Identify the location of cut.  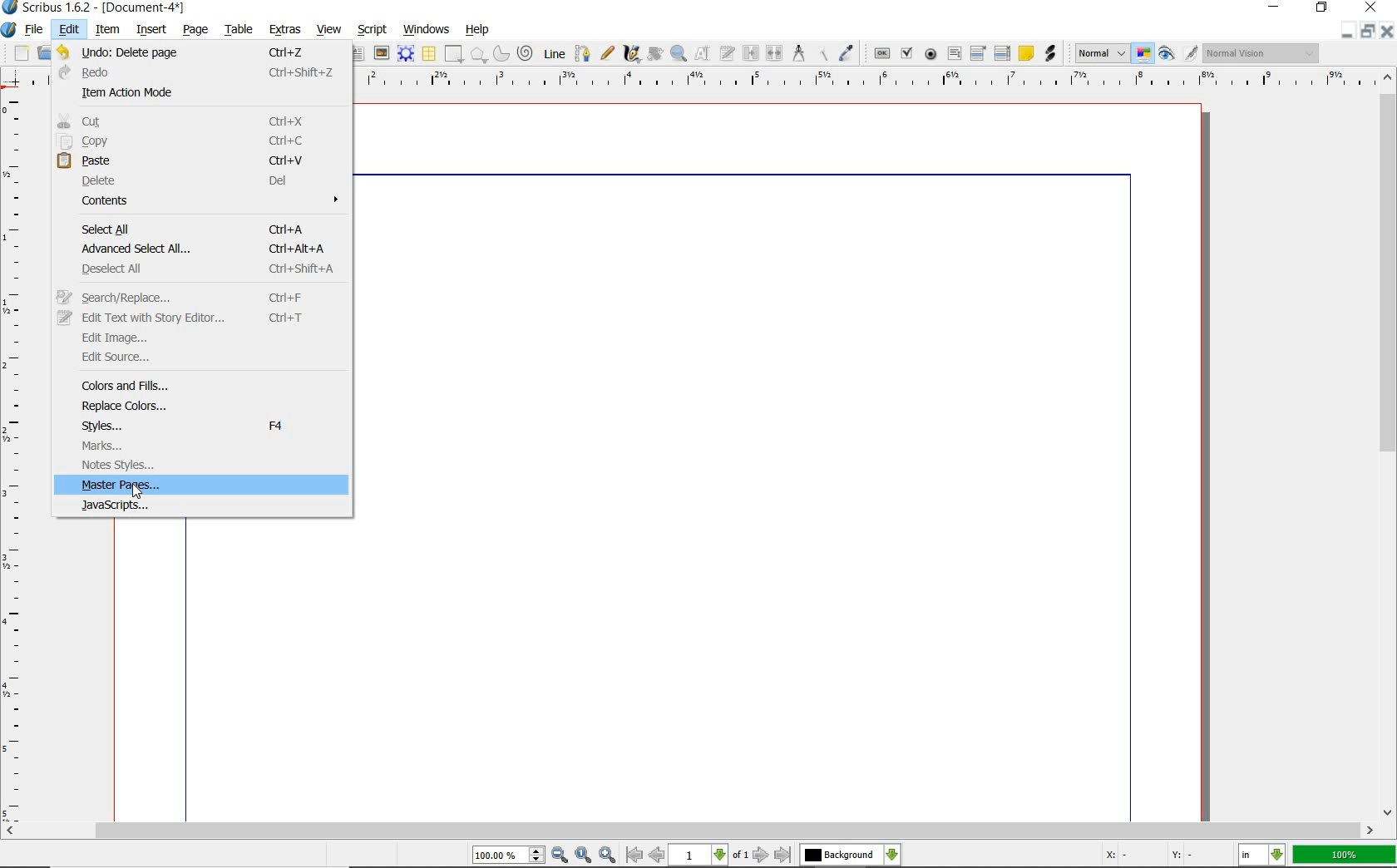
(205, 121).